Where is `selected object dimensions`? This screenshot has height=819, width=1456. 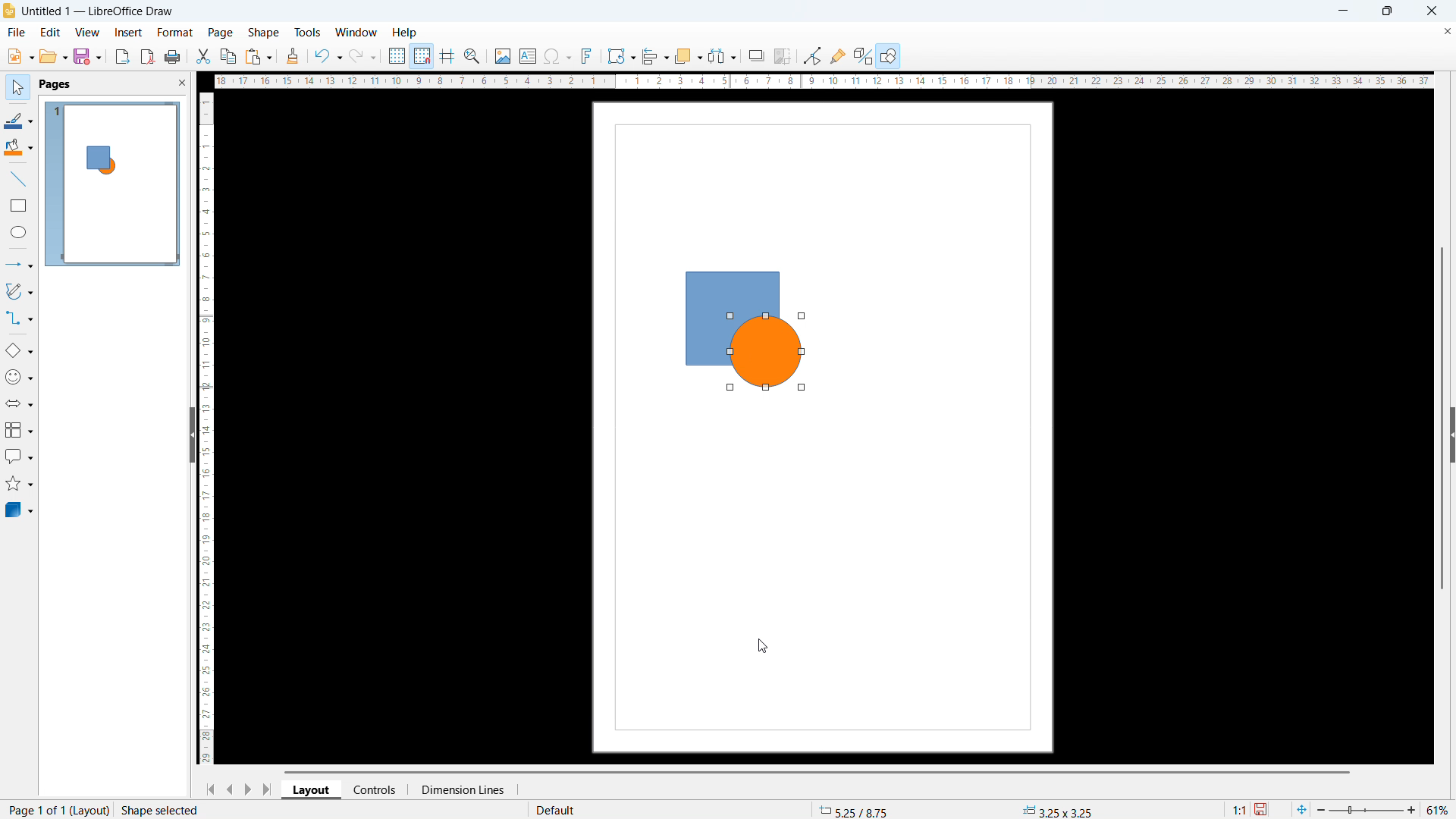
selected object dimensions is located at coordinates (1057, 809).